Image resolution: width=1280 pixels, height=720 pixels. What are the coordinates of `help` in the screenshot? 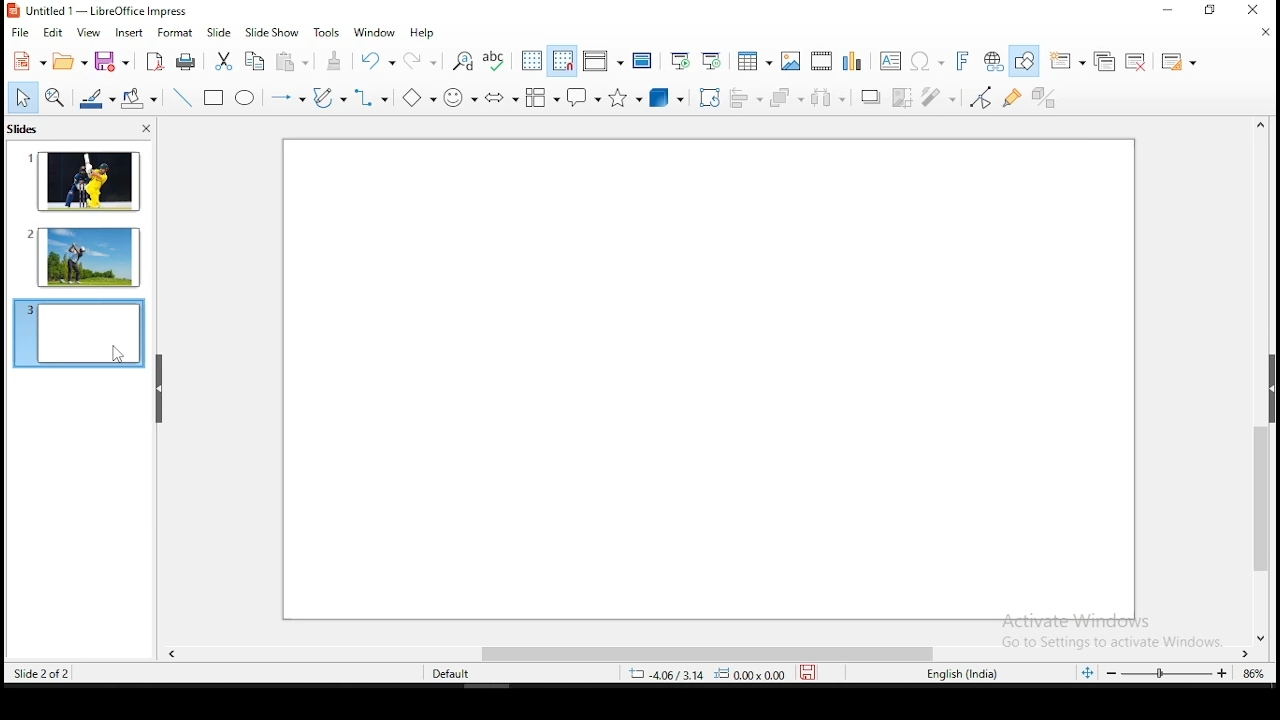 It's located at (424, 32).